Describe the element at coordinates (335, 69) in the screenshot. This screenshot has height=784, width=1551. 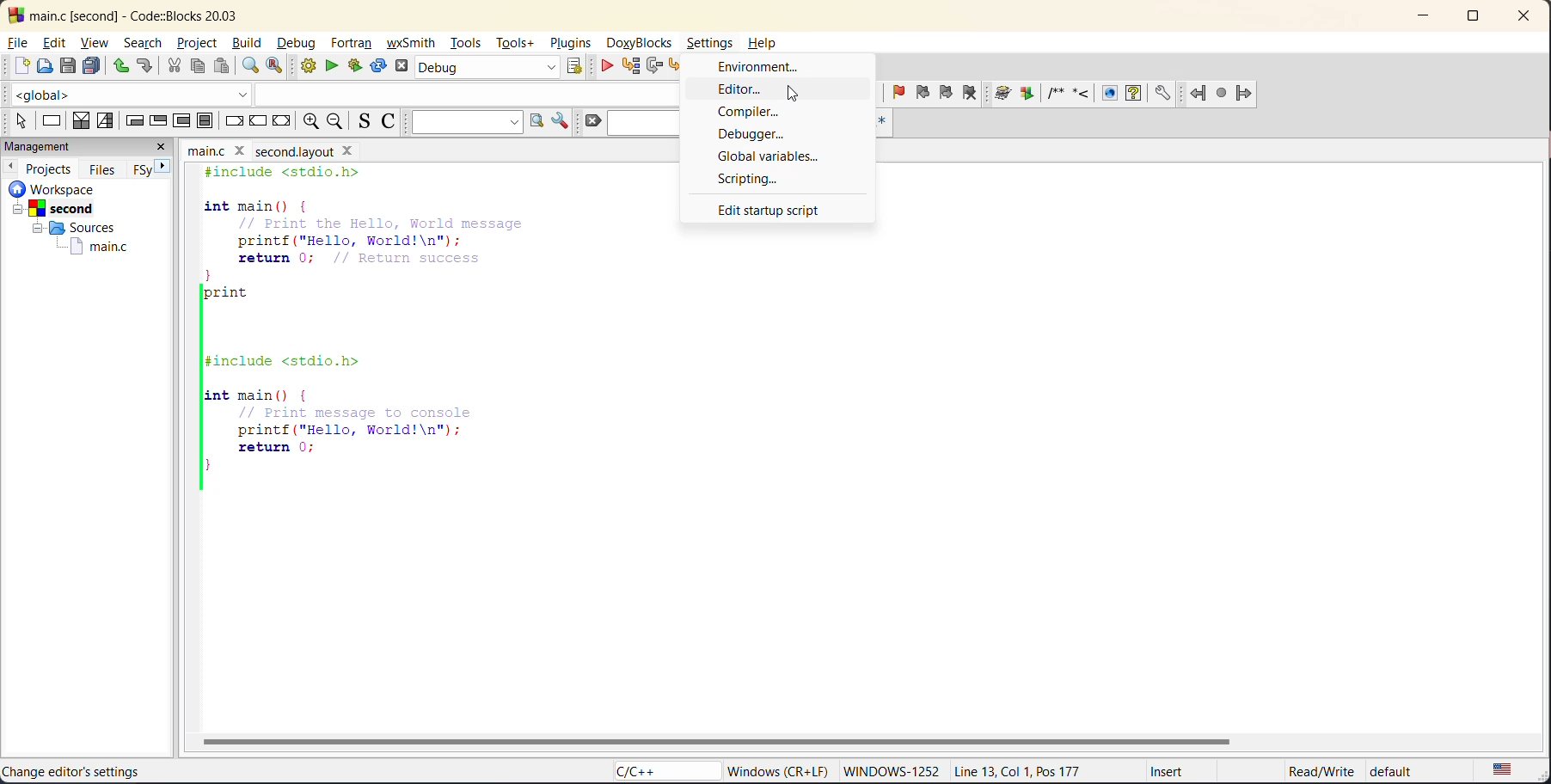
I see `run` at that location.